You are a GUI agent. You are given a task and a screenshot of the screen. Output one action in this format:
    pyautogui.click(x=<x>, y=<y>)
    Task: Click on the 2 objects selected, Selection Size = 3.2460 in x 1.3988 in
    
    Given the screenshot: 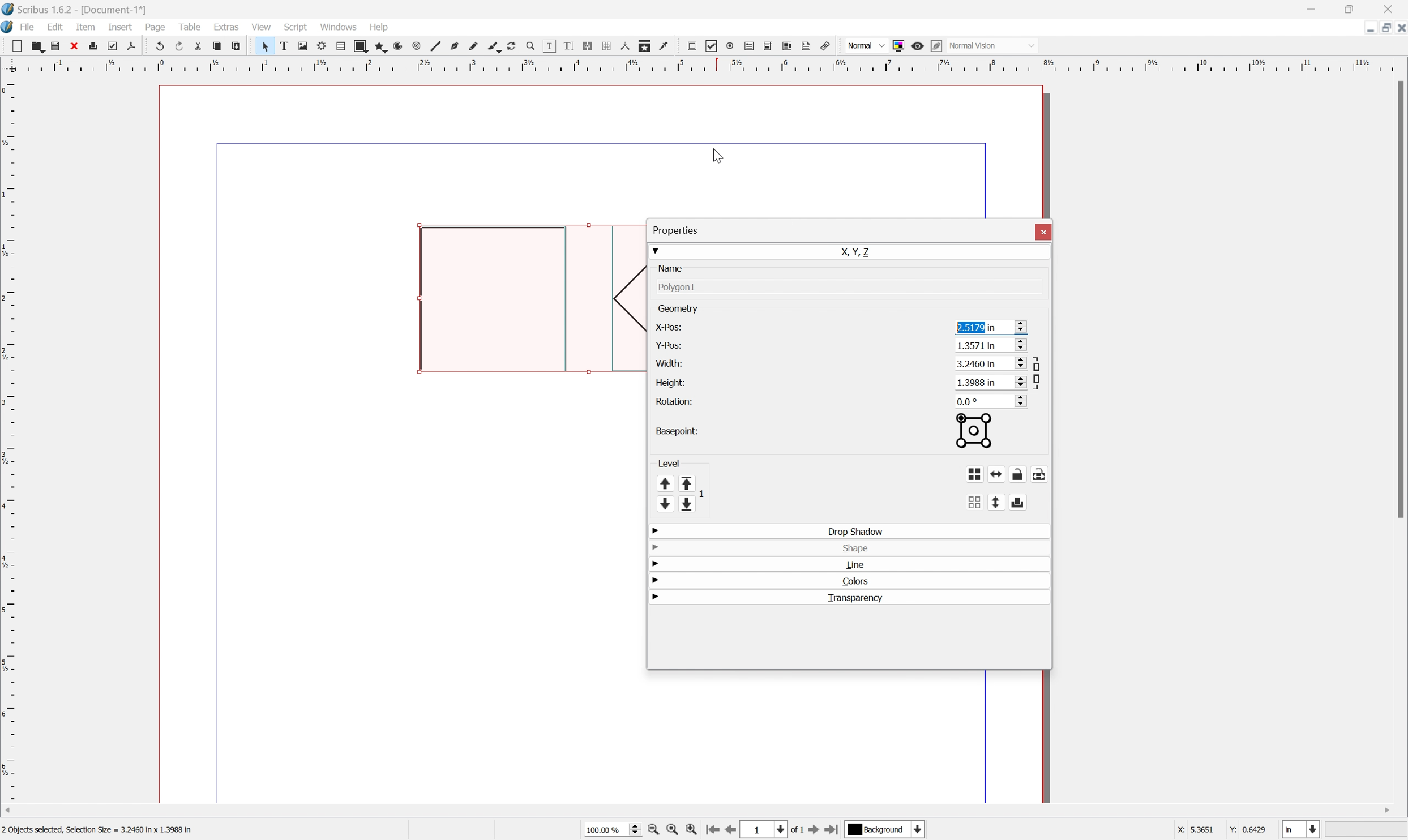 What is the action you would take?
    pyautogui.click(x=102, y=829)
    